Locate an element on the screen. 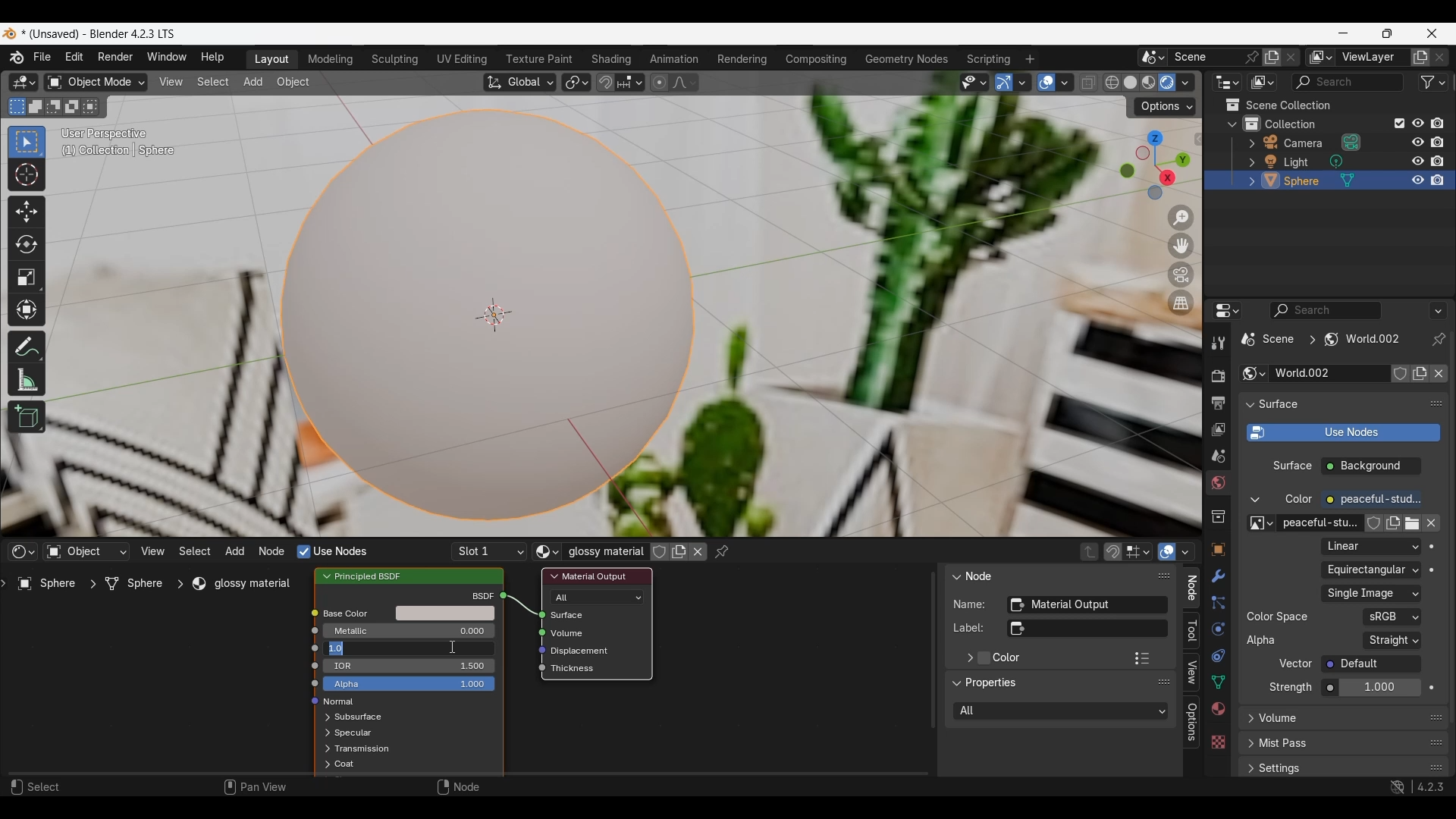 The height and width of the screenshot is (819, 1456). Disable all respective renders is located at coordinates (1442, 123).